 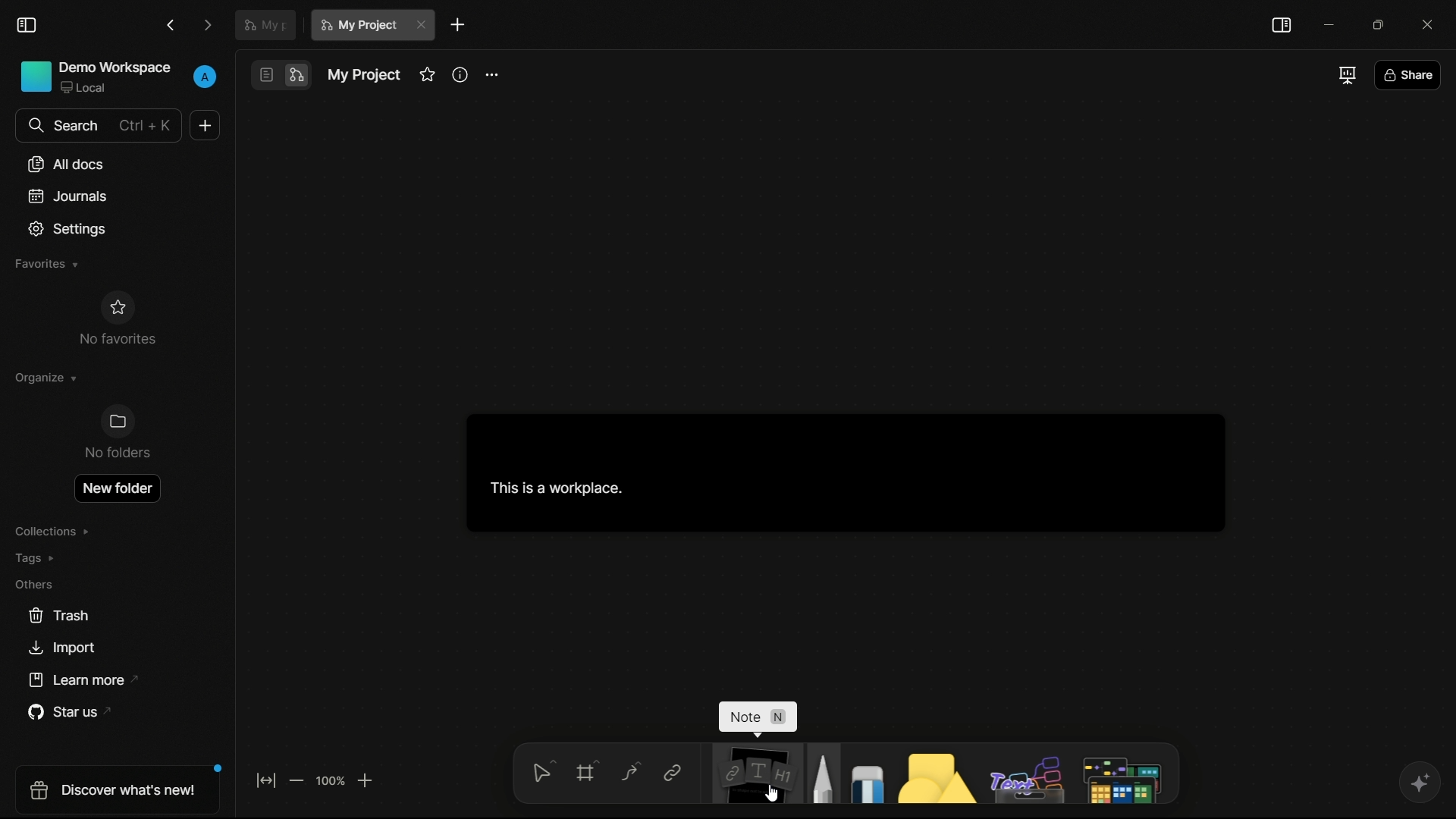 What do you see at coordinates (30, 24) in the screenshot?
I see `toggle sidebar` at bounding box center [30, 24].